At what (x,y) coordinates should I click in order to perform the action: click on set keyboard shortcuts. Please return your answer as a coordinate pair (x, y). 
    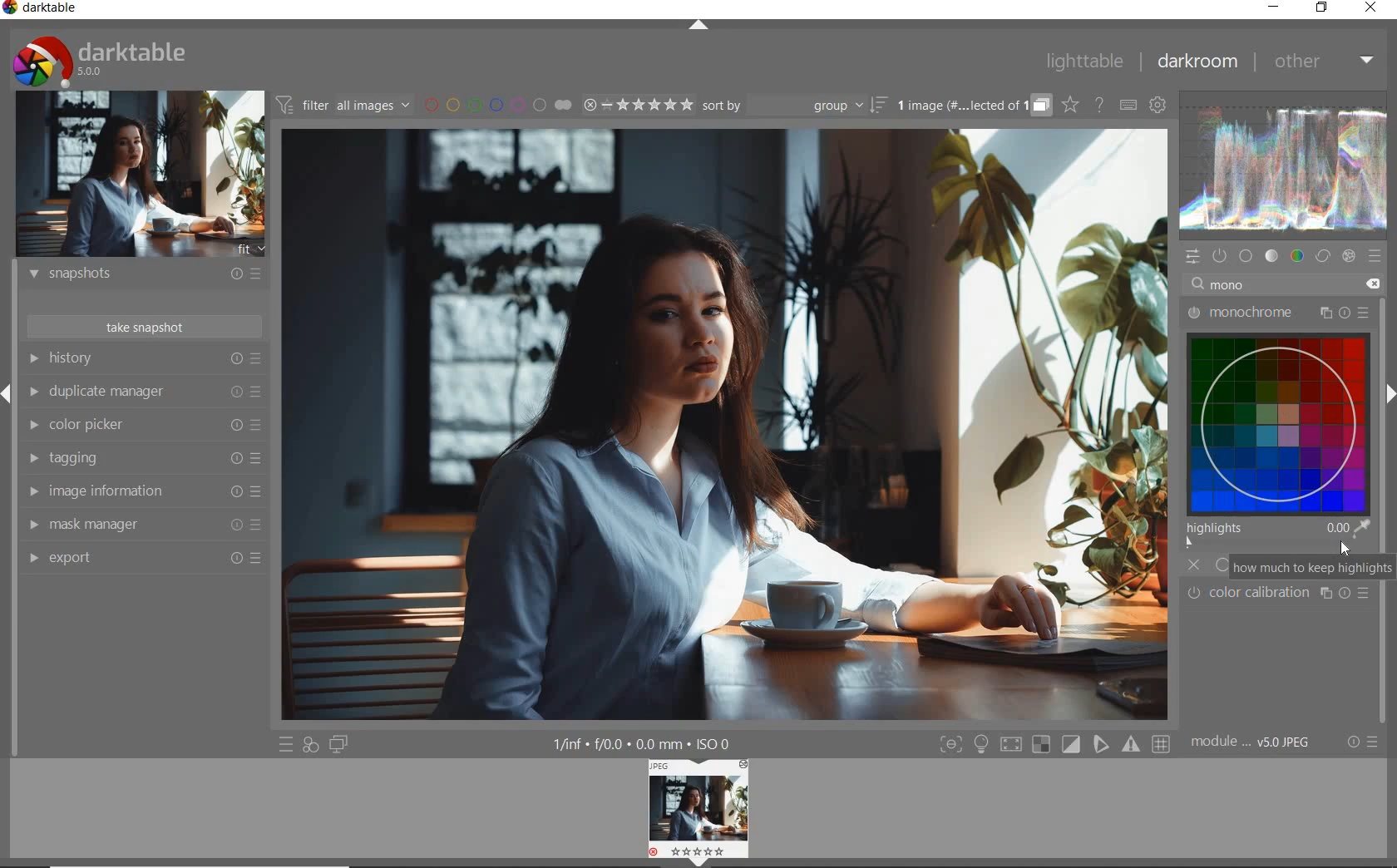
    Looking at the image, I should click on (1128, 105).